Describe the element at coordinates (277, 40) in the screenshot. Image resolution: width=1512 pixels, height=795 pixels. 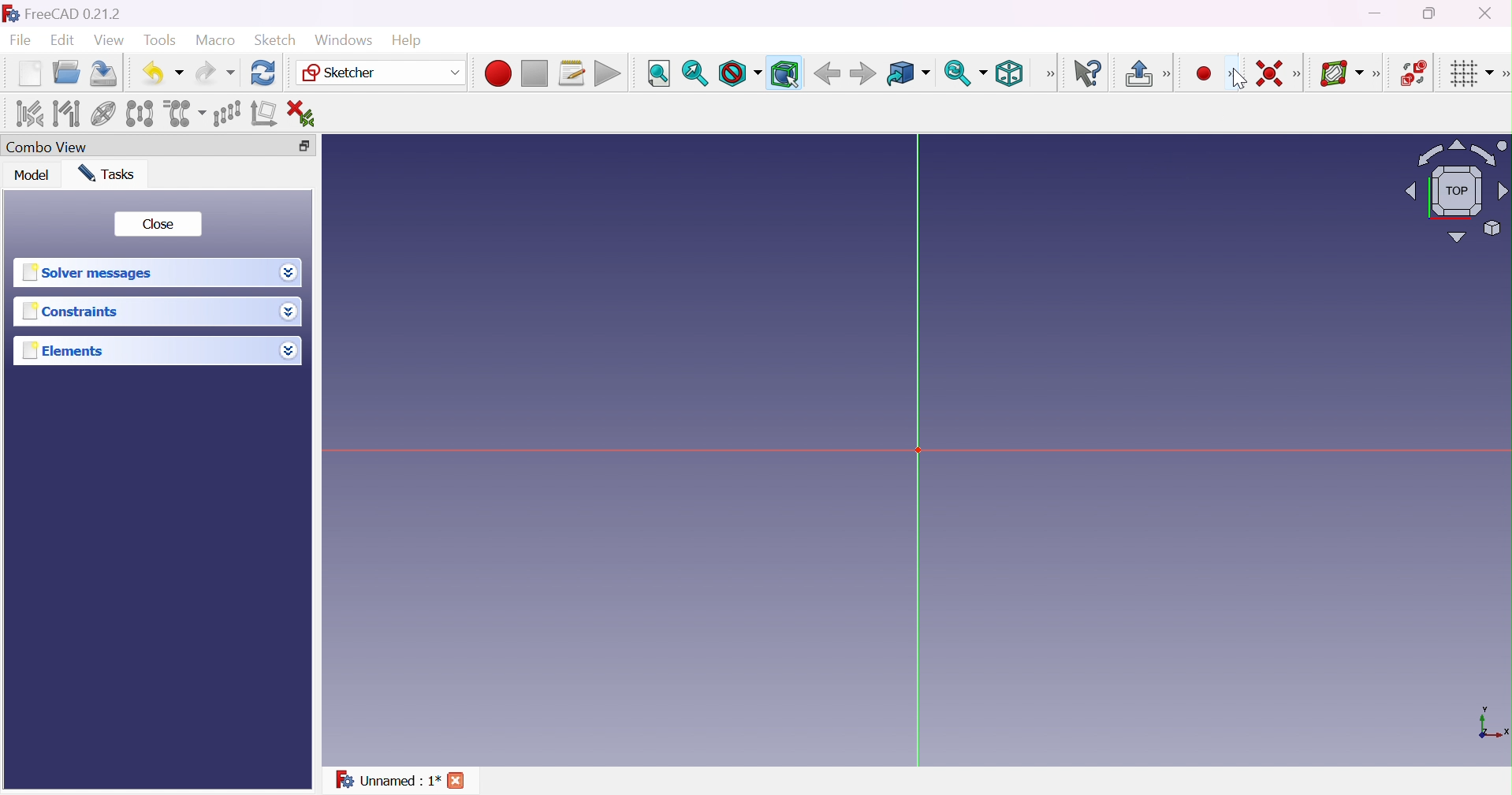
I see `Sketch` at that location.